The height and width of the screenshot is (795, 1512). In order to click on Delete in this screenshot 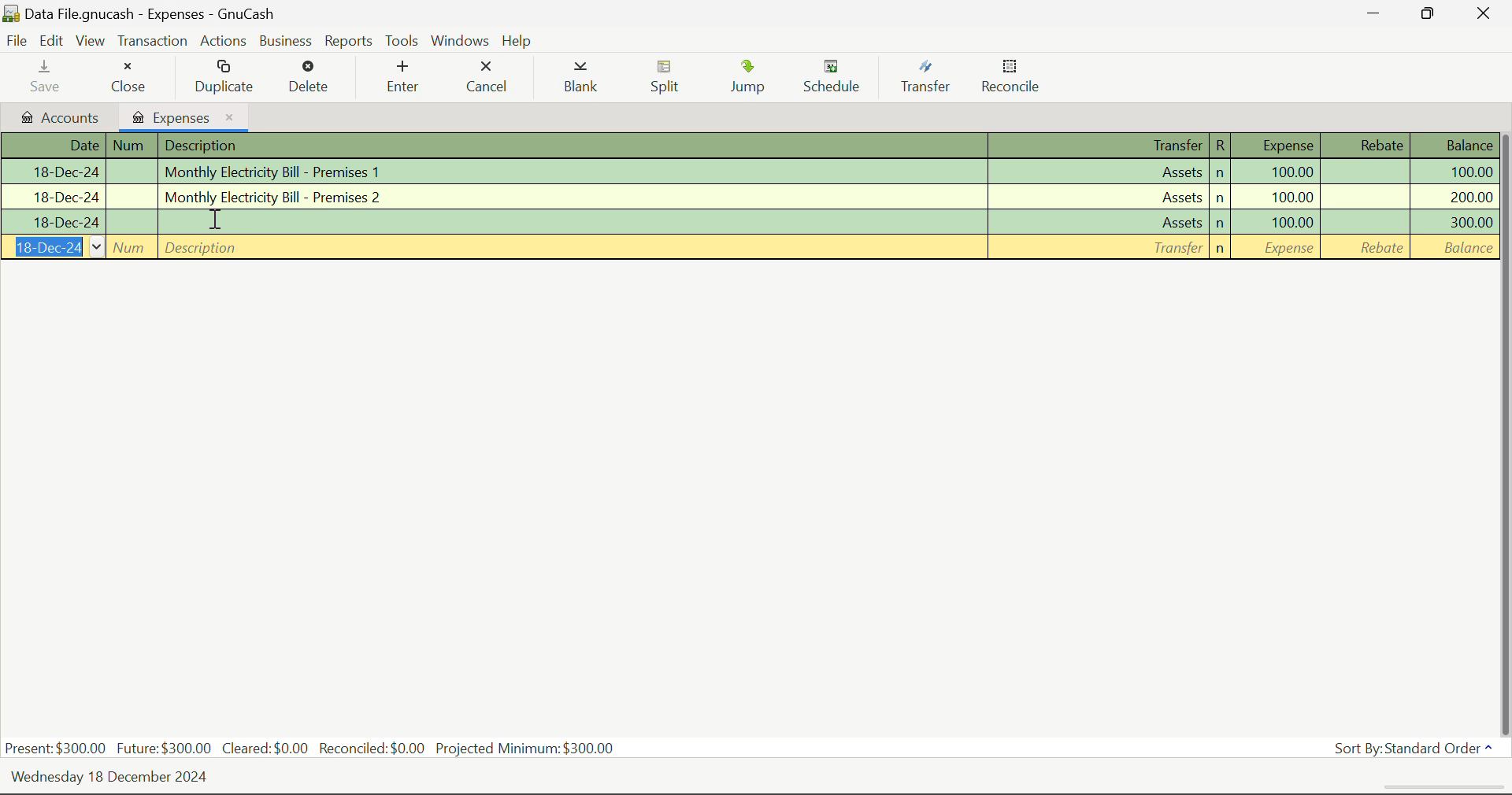, I will do `click(313, 79)`.